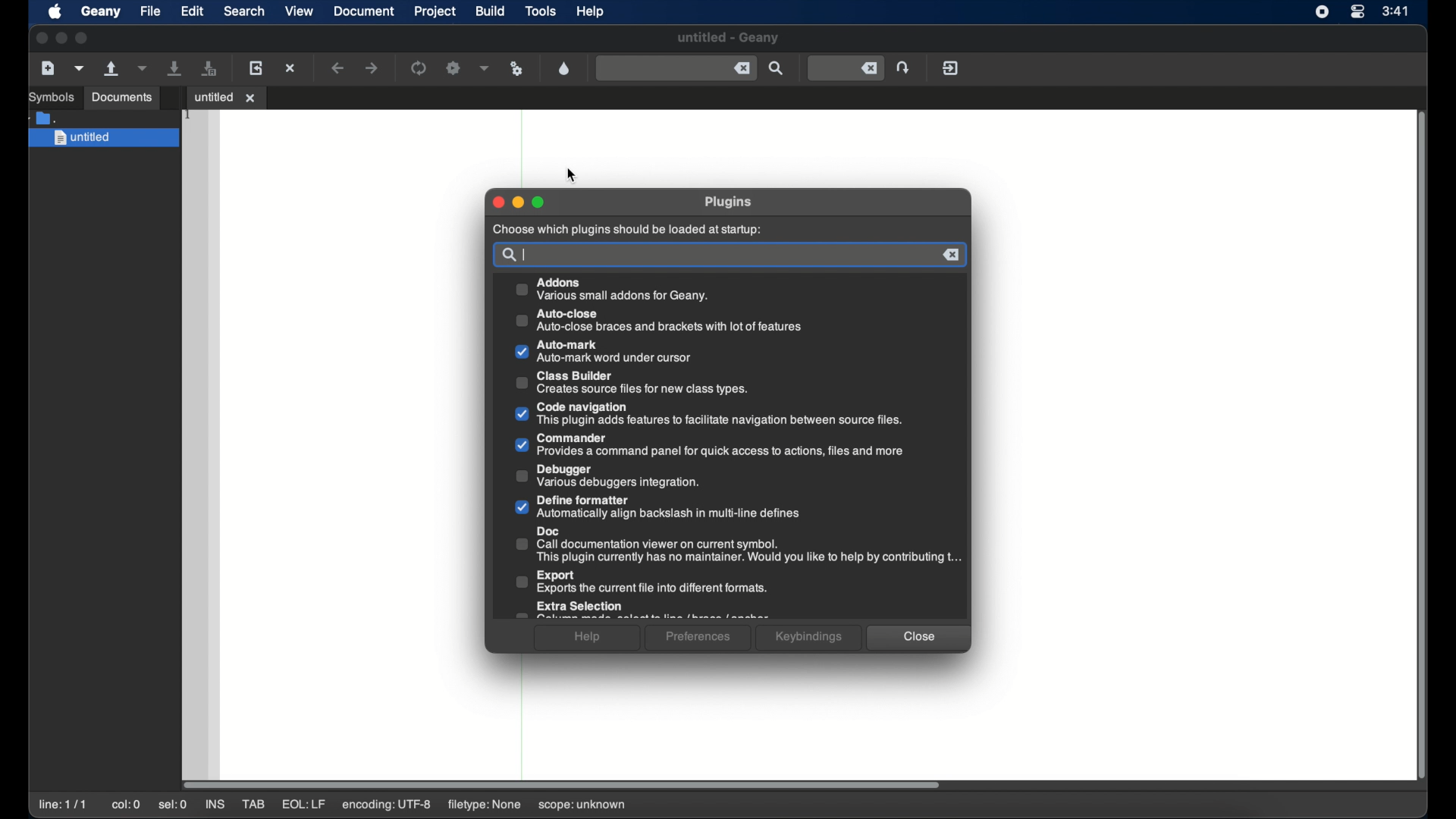  What do you see at coordinates (173, 805) in the screenshot?
I see `sel: 0` at bounding box center [173, 805].